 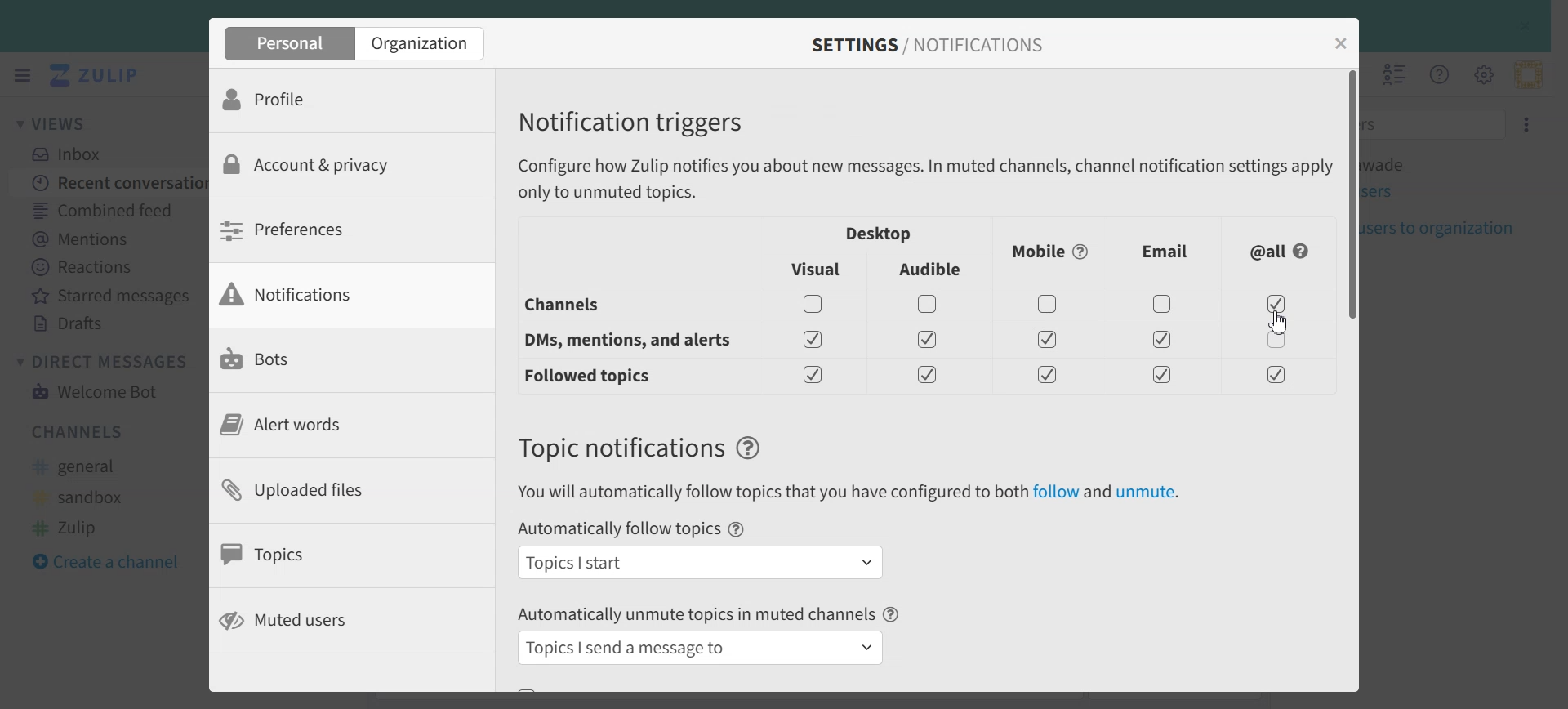 I want to click on Hide user list, so click(x=1395, y=74).